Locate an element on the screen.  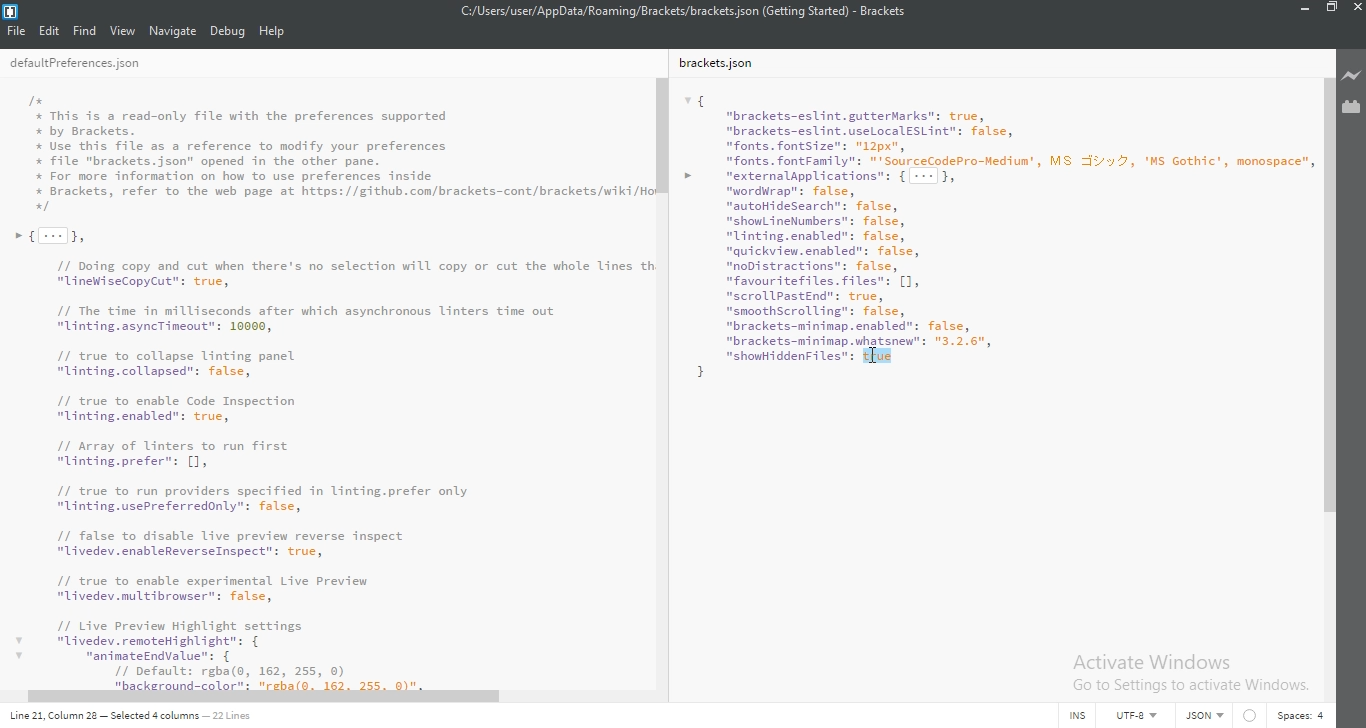
navigate is located at coordinates (172, 31).